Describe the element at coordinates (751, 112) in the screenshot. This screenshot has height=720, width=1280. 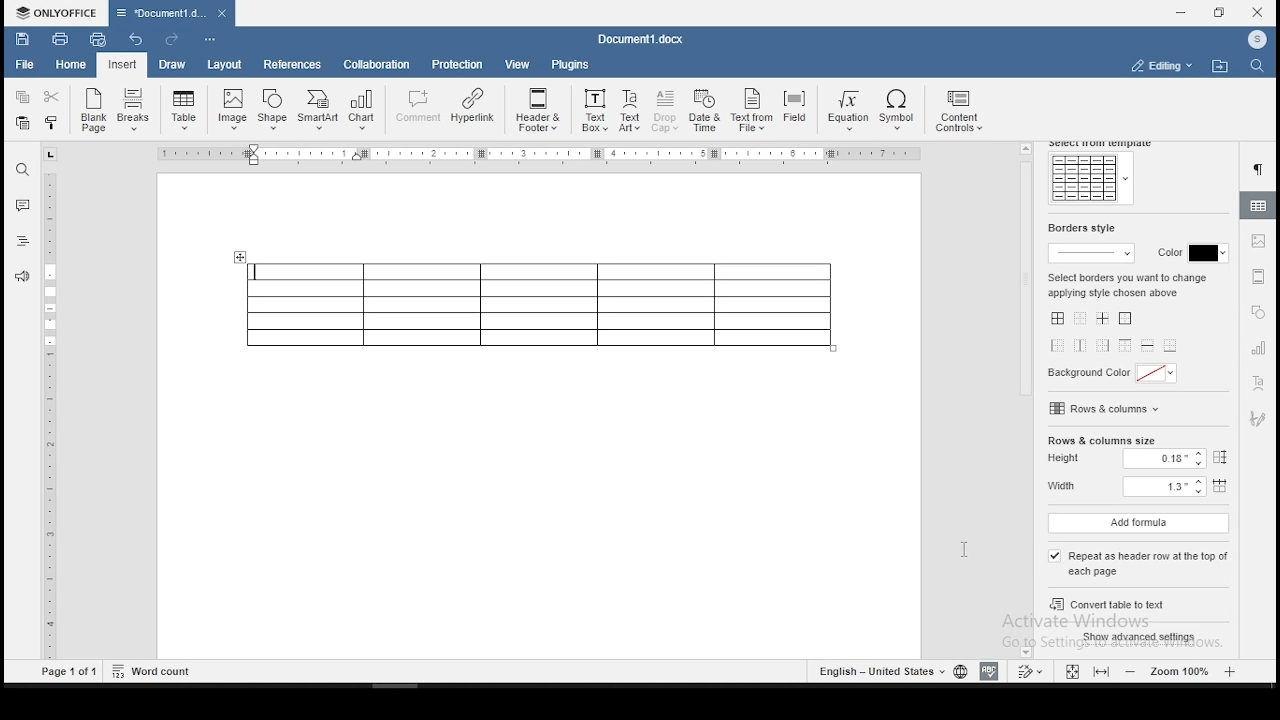
I see `Text From File` at that location.